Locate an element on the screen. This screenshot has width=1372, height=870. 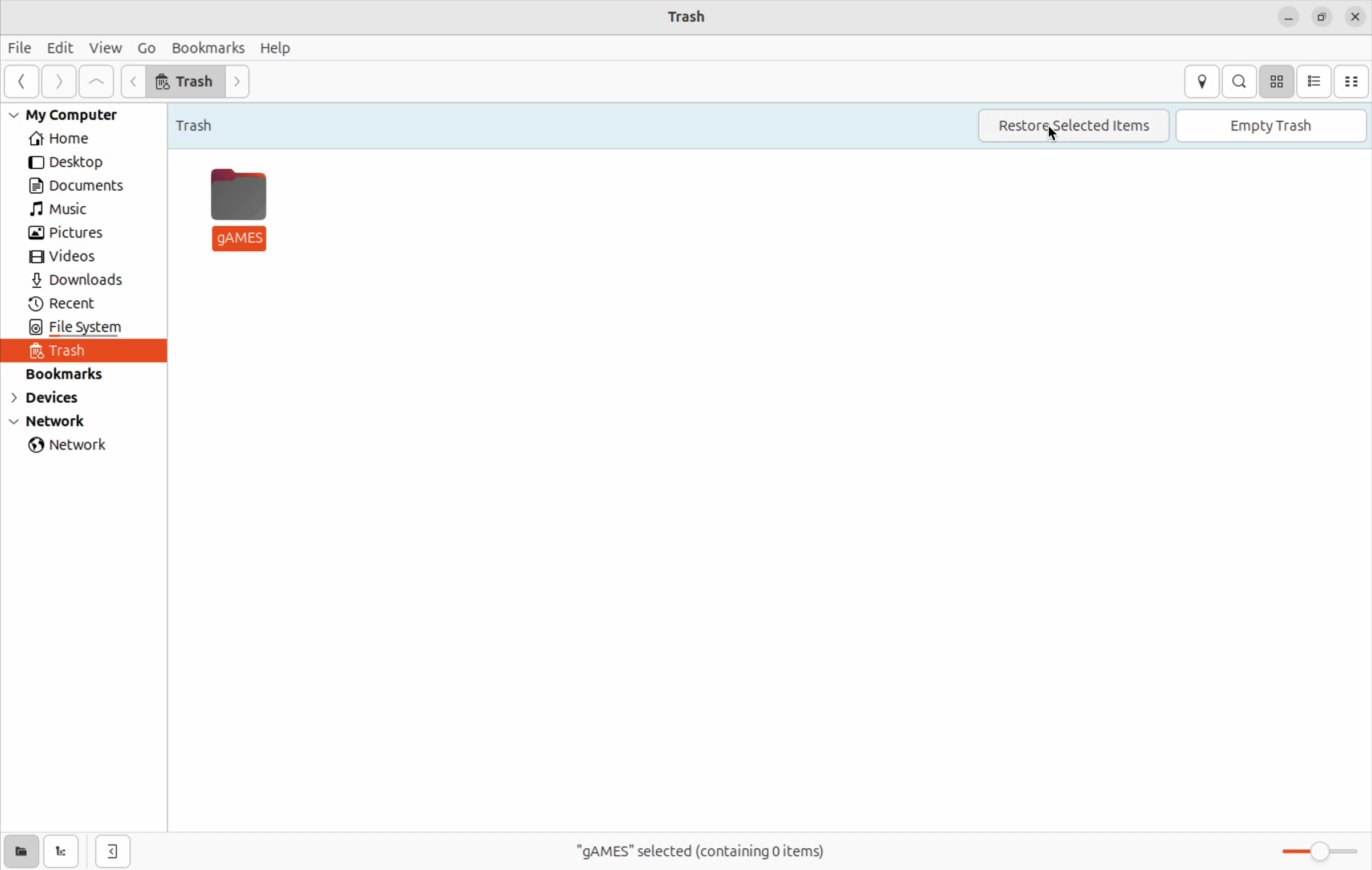
search is located at coordinates (1239, 81).